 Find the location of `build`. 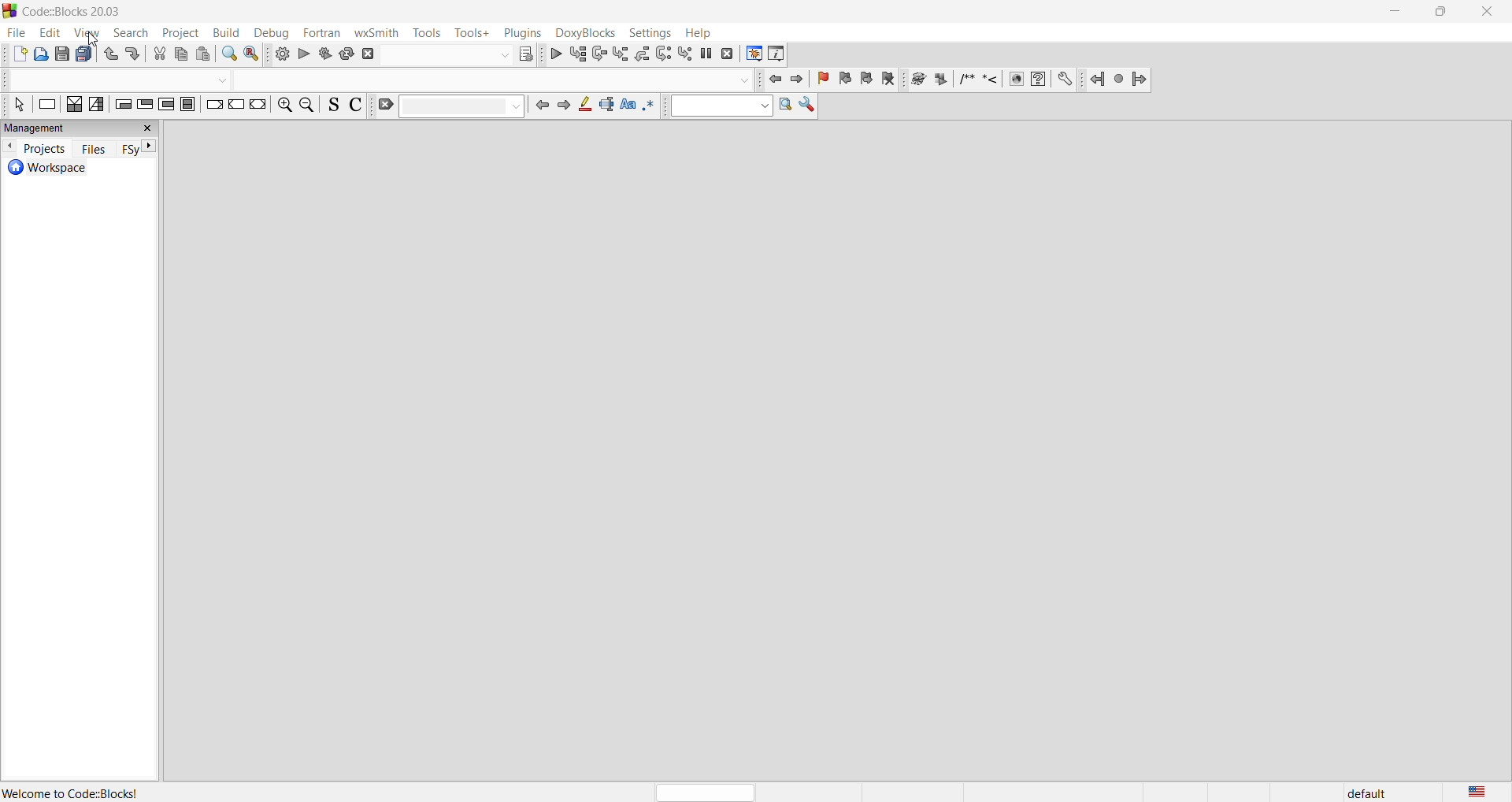

build is located at coordinates (280, 56).